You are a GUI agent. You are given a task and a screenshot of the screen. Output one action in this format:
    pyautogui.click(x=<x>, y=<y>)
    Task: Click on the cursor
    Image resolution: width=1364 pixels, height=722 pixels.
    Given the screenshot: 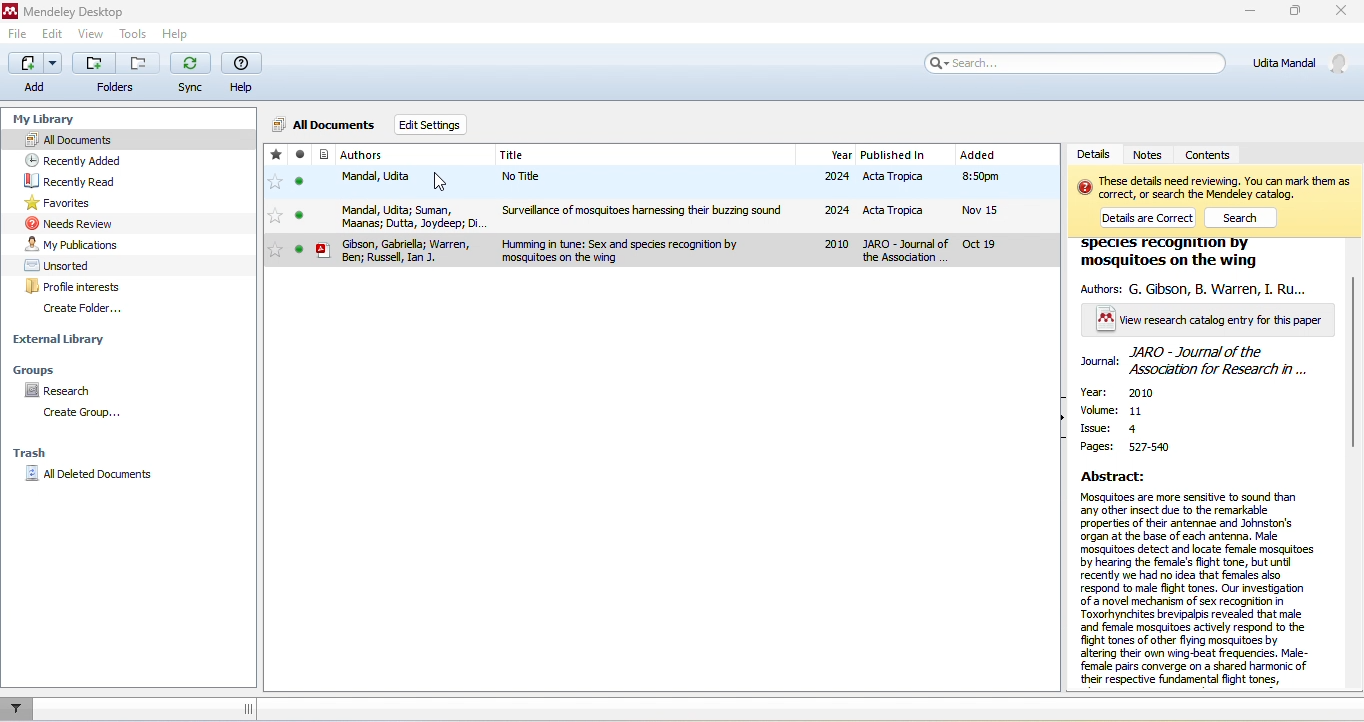 What is the action you would take?
    pyautogui.click(x=440, y=182)
    